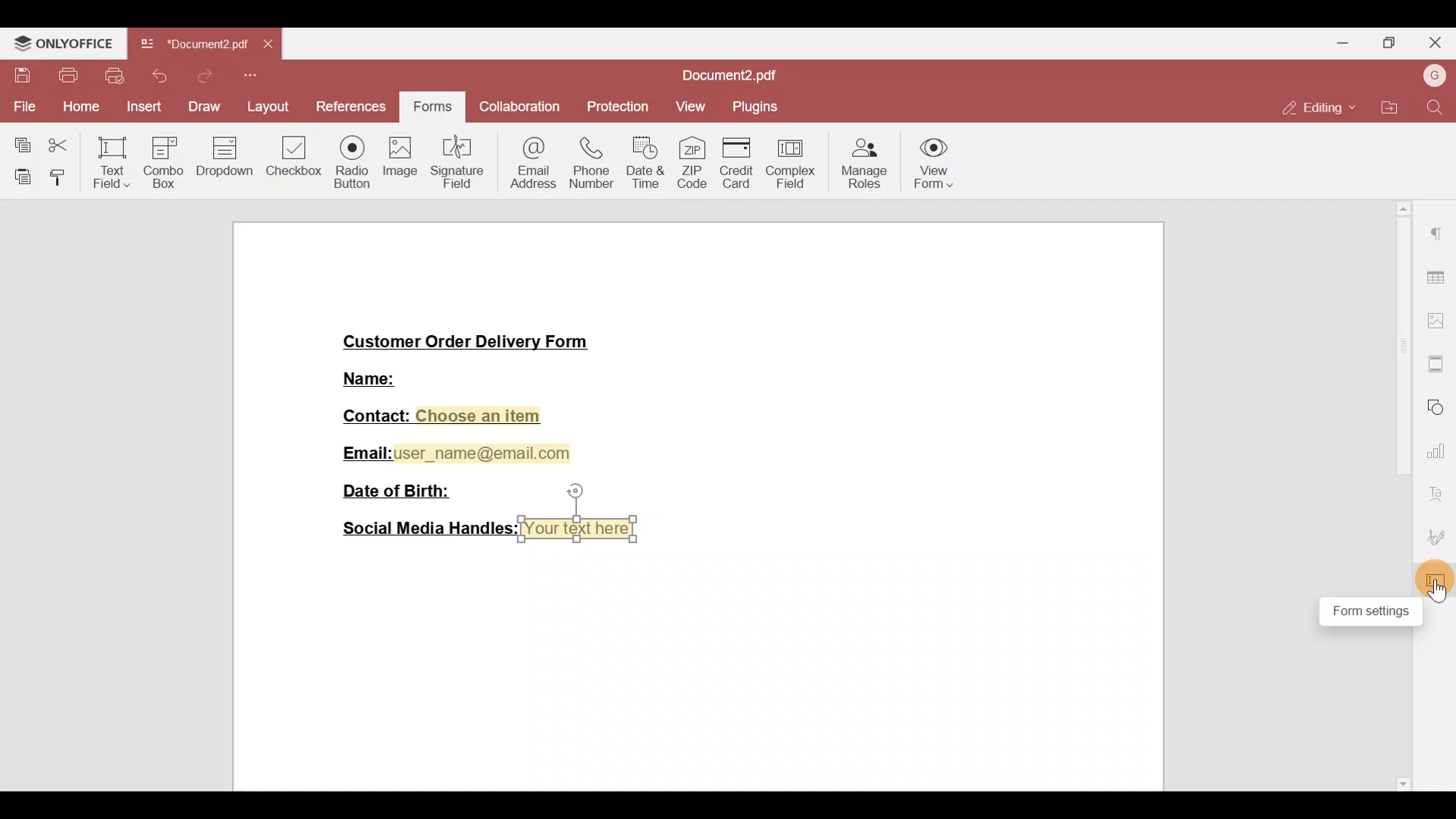 The height and width of the screenshot is (819, 1456). Describe the element at coordinates (292, 155) in the screenshot. I see `Checkbox` at that location.